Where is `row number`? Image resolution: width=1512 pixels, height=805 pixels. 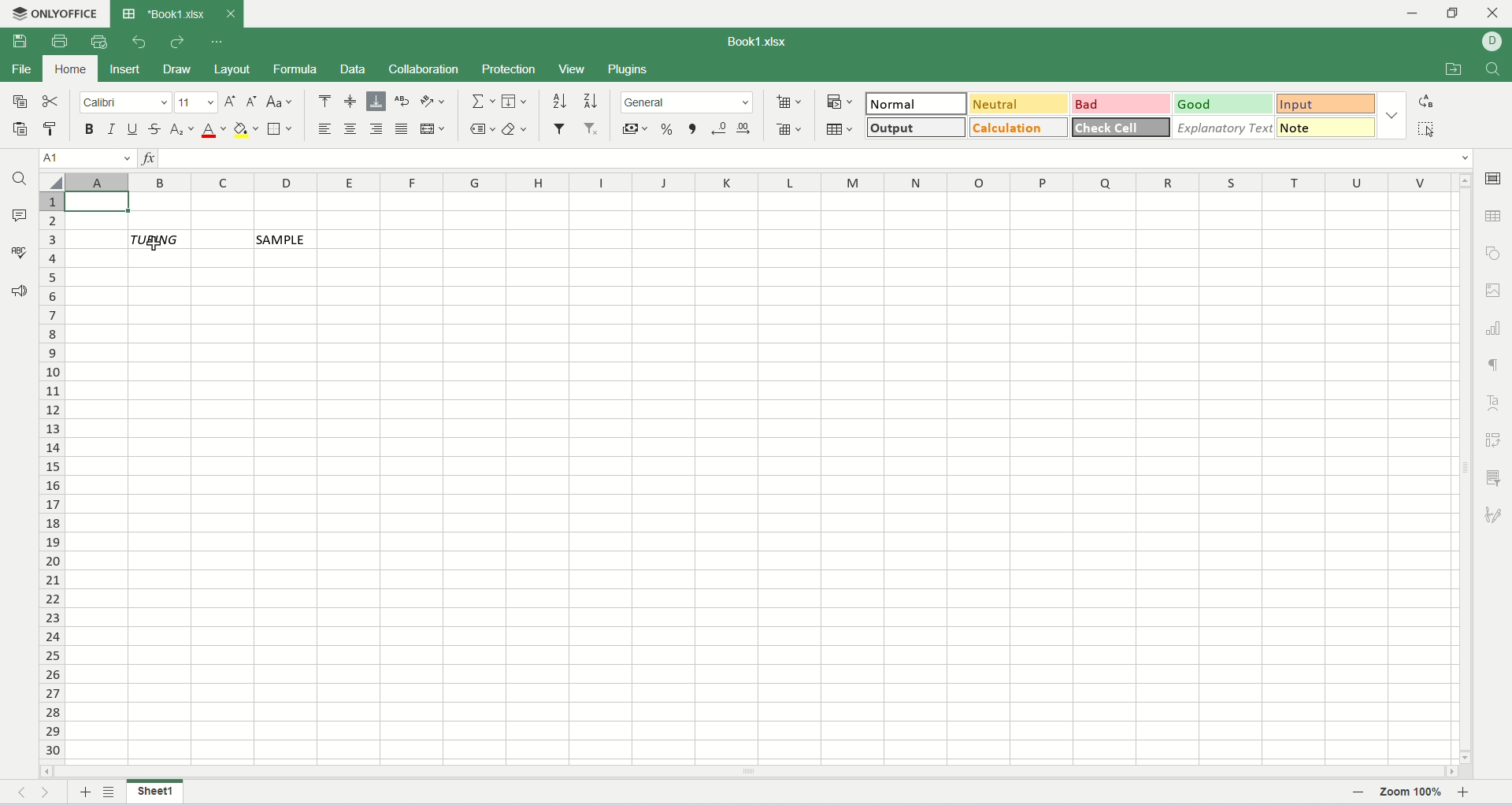 row number is located at coordinates (53, 478).